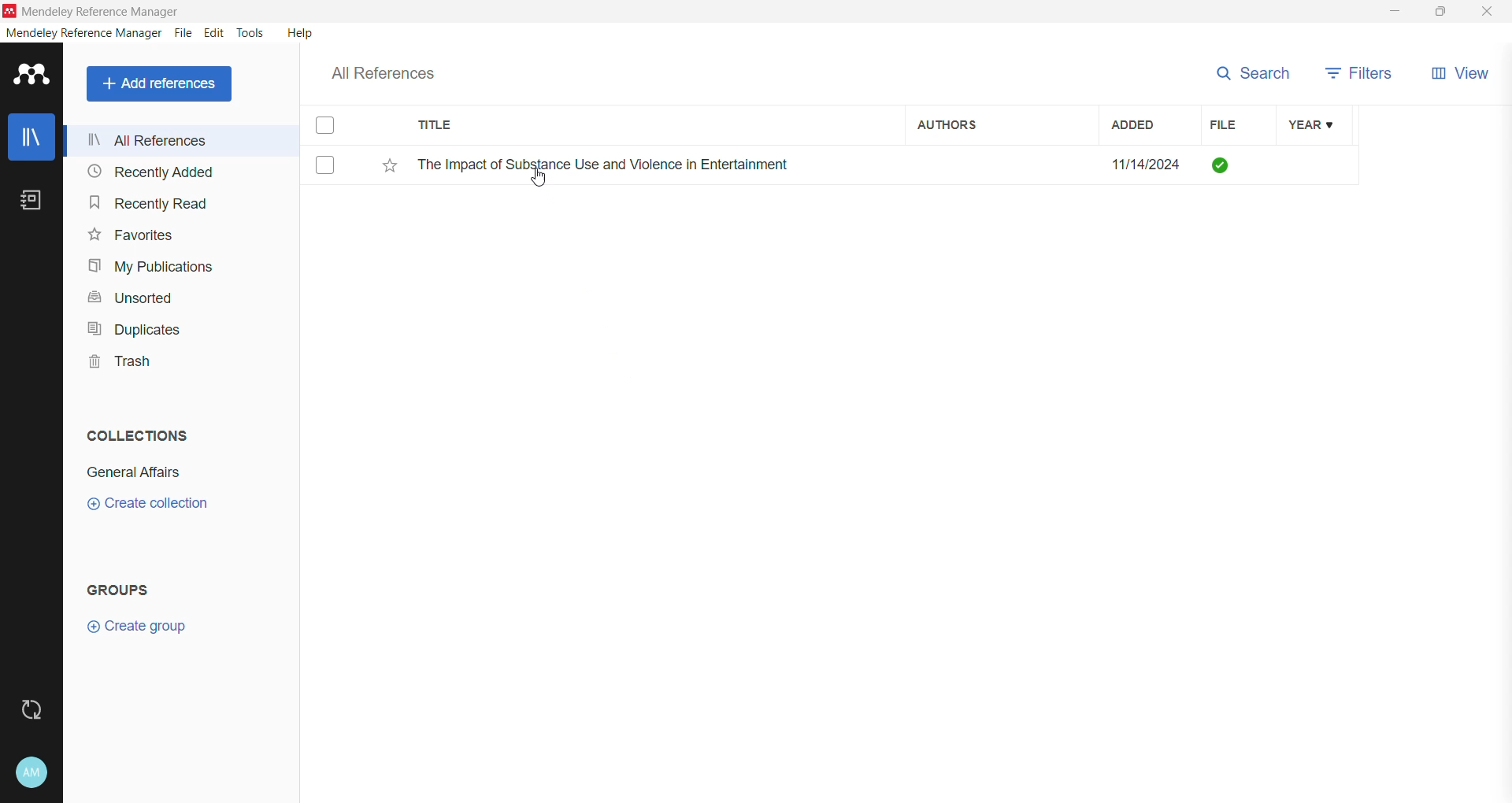 The height and width of the screenshot is (803, 1512). Describe the element at coordinates (31, 139) in the screenshot. I see `Library` at that location.